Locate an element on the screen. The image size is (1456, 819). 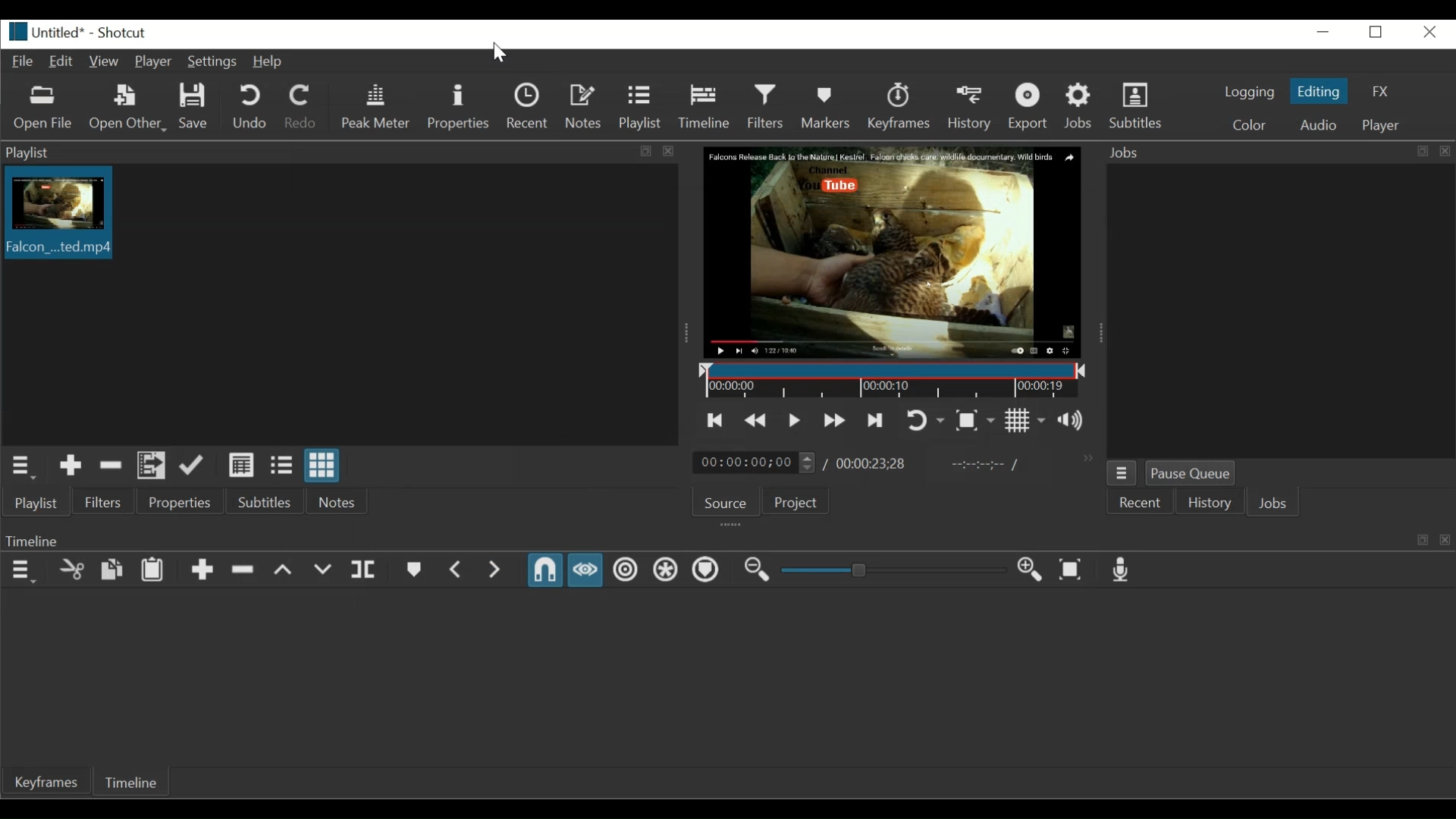
Player is located at coordinates (155, 61).